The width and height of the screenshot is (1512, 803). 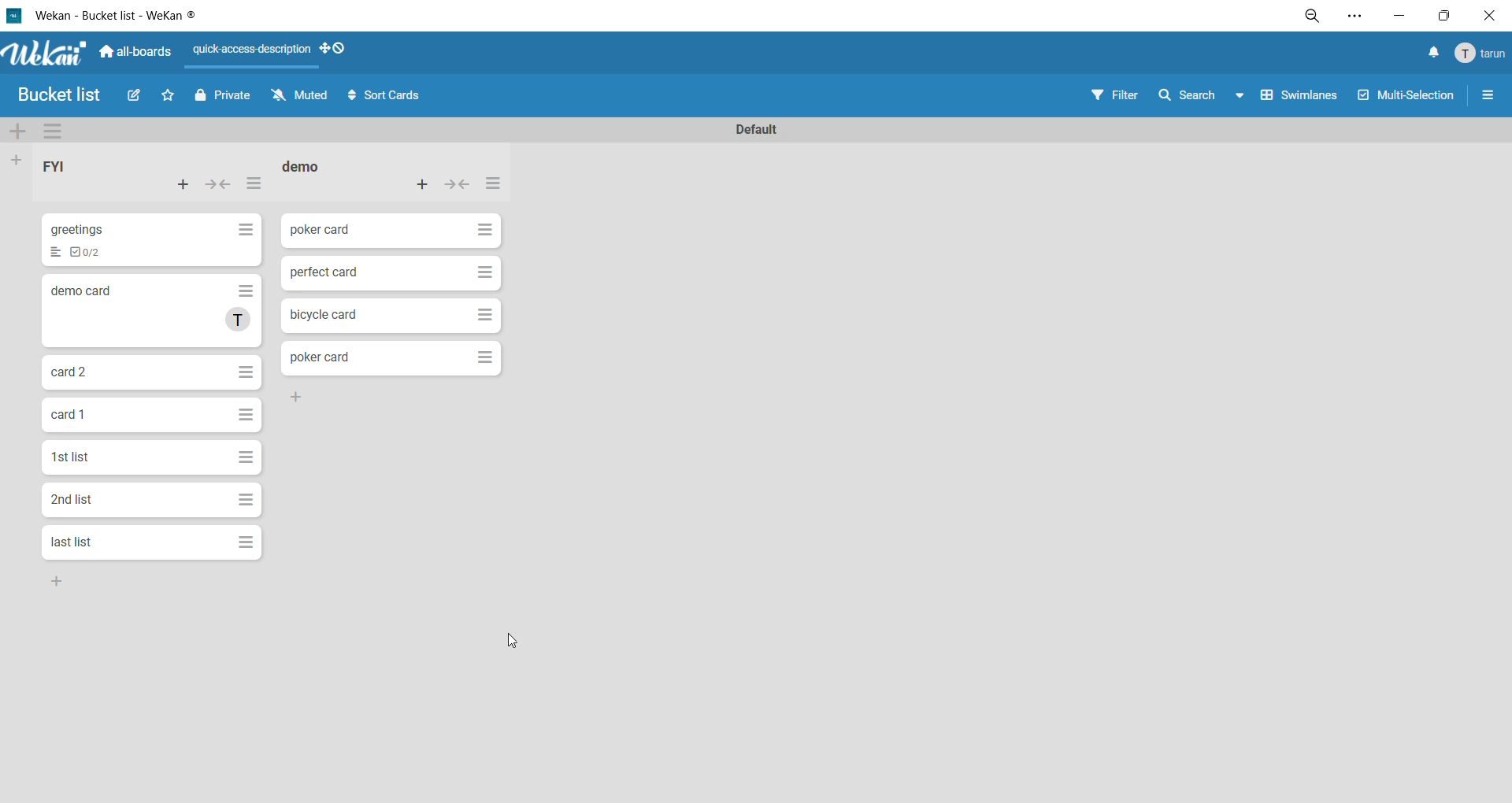 What do you see at coordinates (424, 183) in the screenshot?
I see `add card` at bounding box center [424, 183].